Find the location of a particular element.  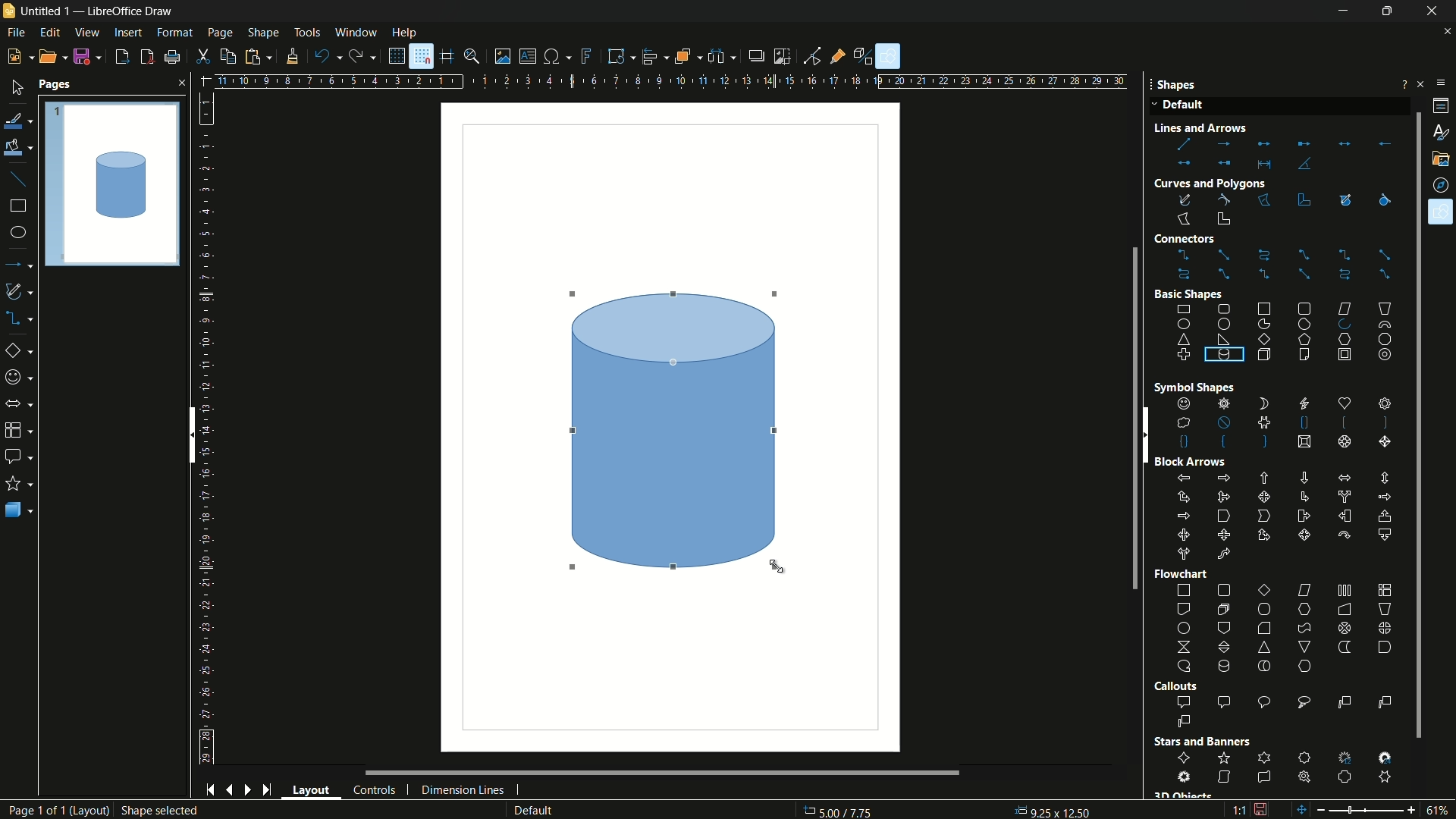

3D Object is located at coordinates (1182, 795).